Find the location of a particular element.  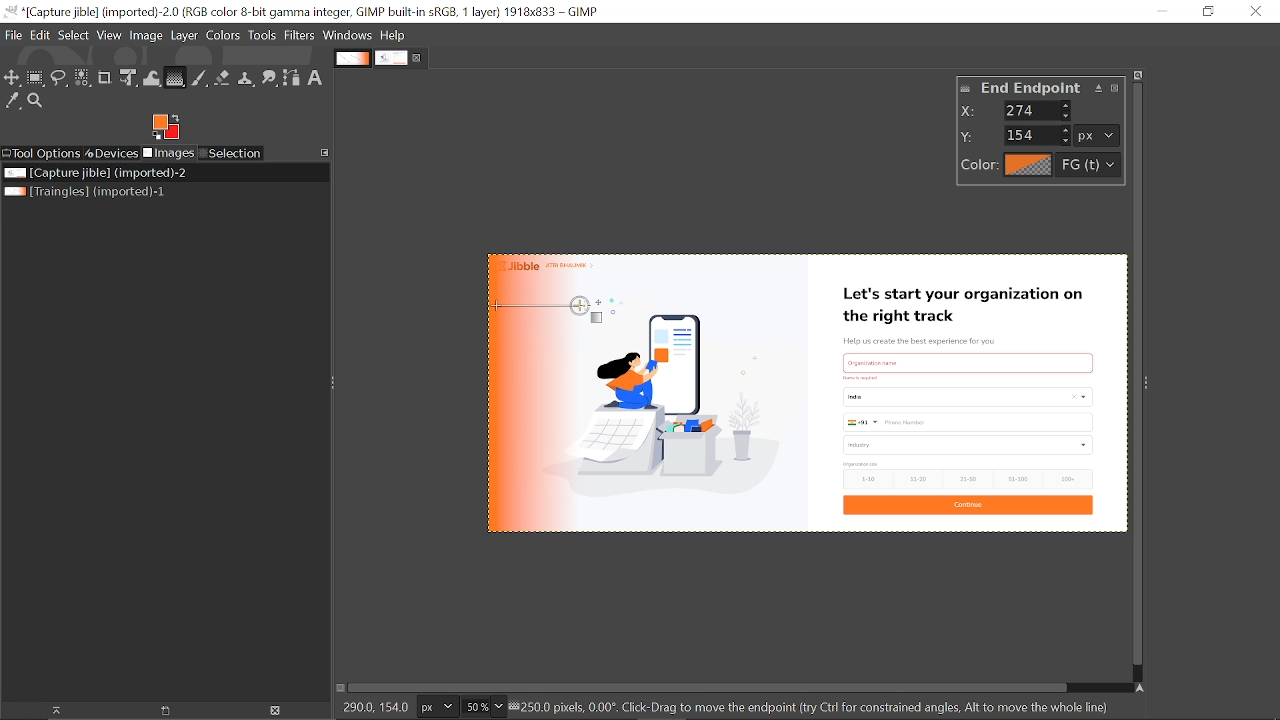

Other tab is located at coordinates (352, 58).